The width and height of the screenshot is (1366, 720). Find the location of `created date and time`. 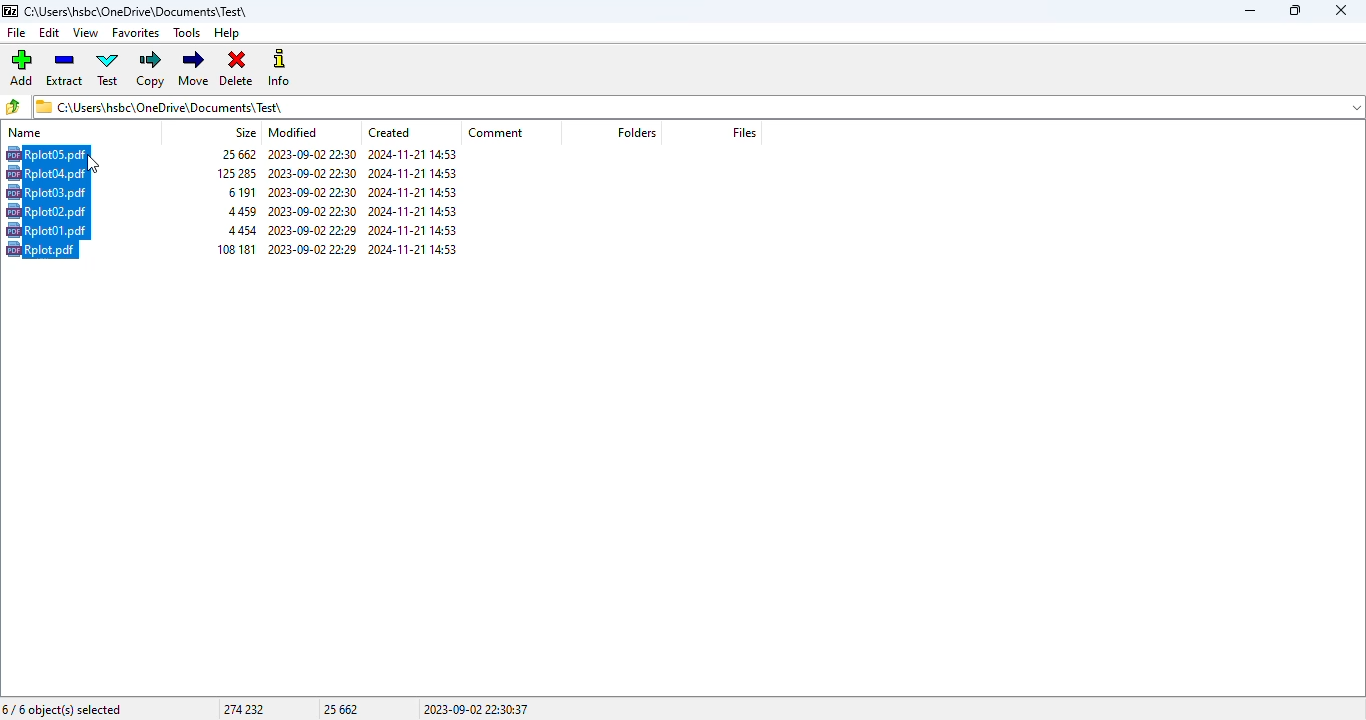

created date and time is located at coordinates (412, 154).